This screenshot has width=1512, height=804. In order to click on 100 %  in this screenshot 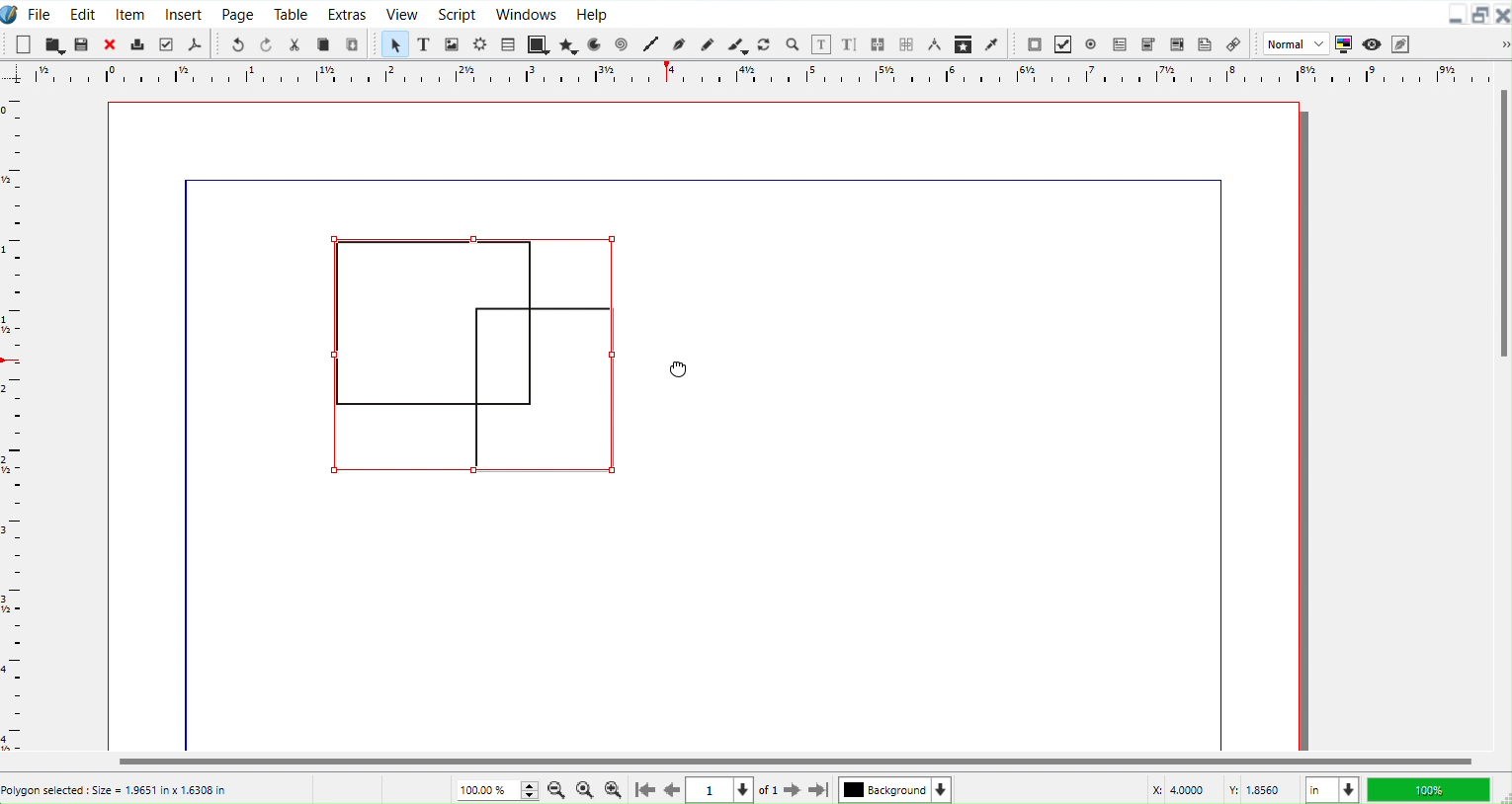, I will do `click(1432, 789)`.